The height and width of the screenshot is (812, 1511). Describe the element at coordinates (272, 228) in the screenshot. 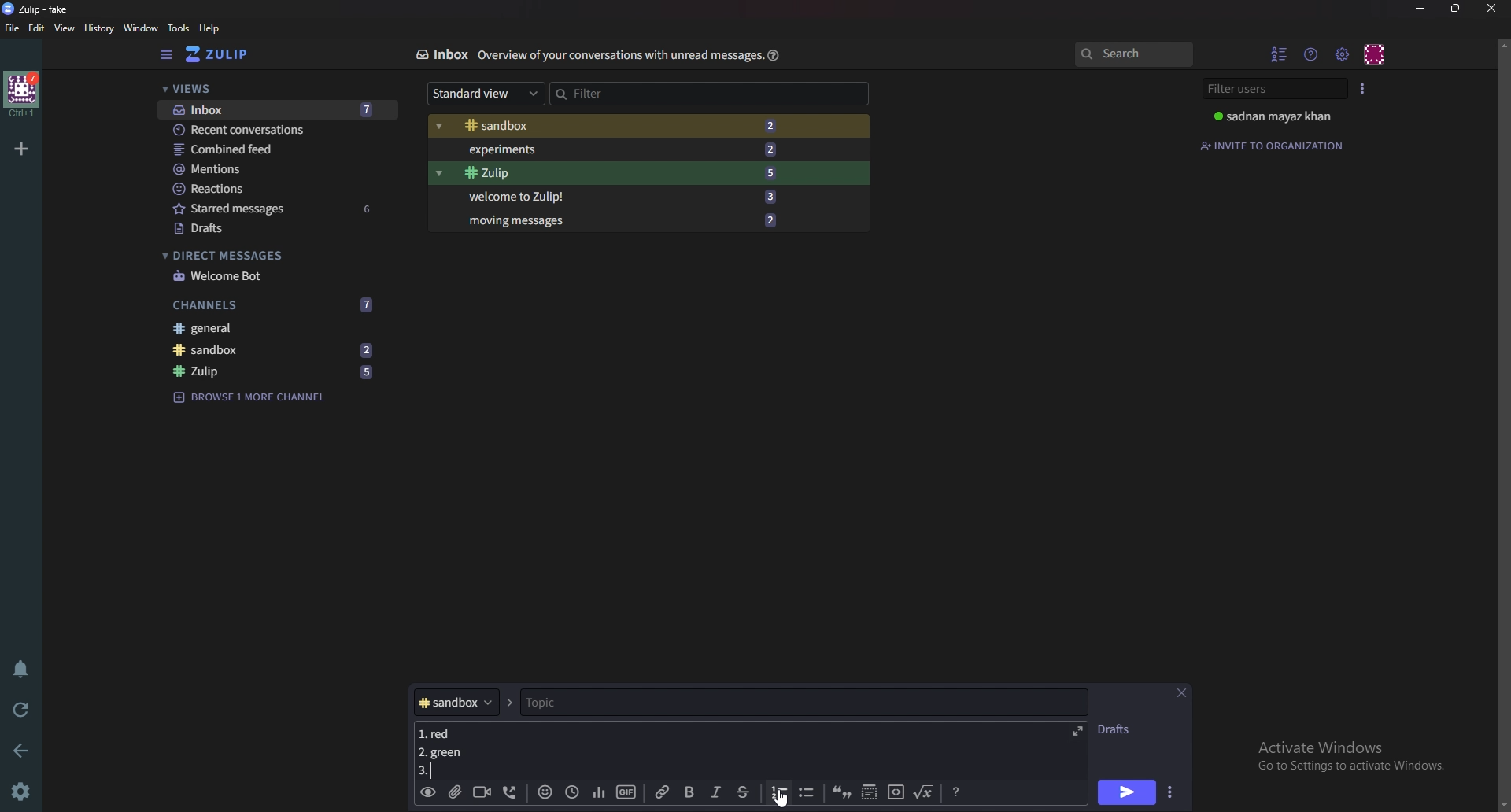

I see `Drafts` at that location.